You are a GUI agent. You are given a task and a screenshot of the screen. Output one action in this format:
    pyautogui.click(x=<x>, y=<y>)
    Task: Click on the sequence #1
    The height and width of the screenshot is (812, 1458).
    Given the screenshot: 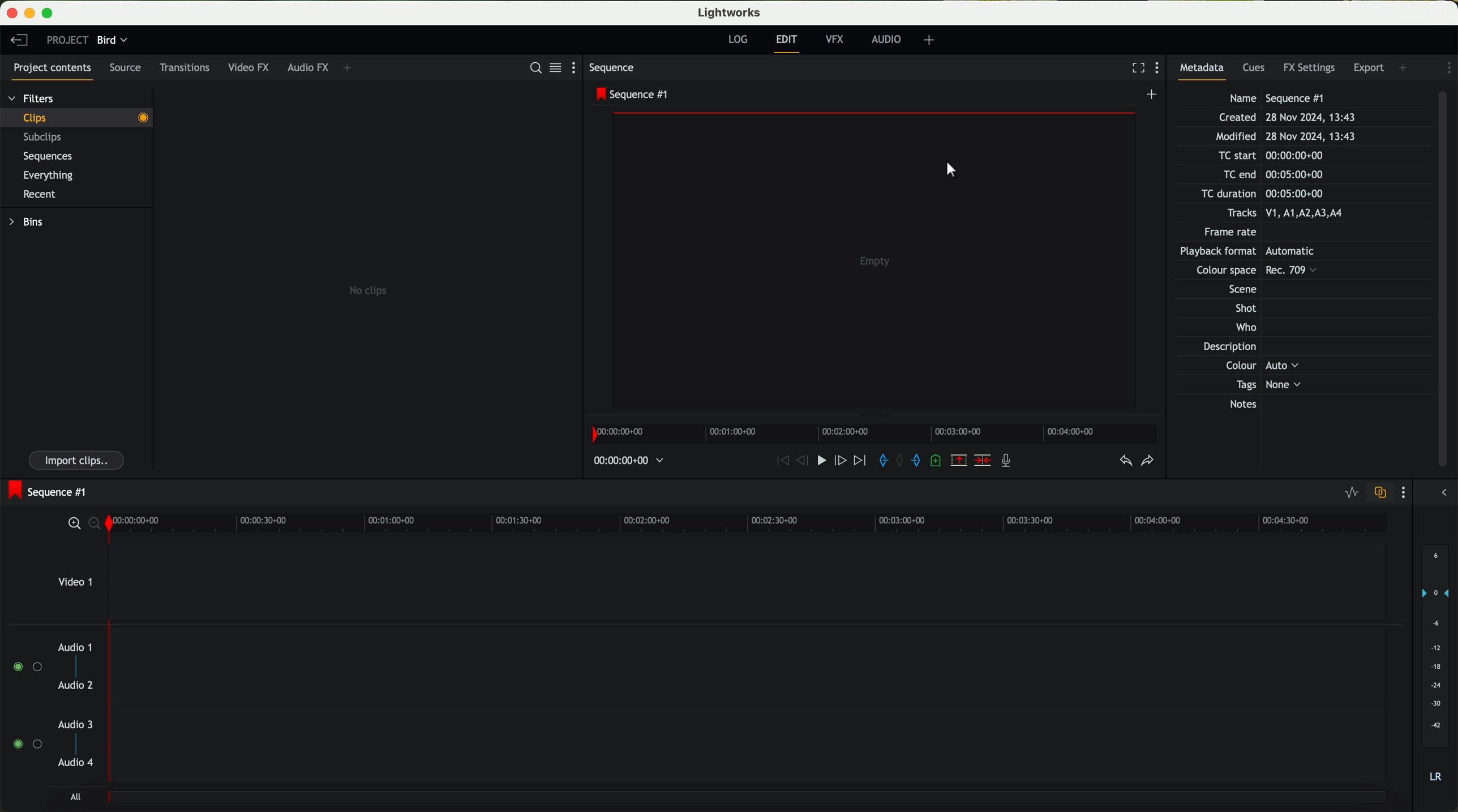 What is the action you would take?
    pyautogui.click(x=632, y=96)
    